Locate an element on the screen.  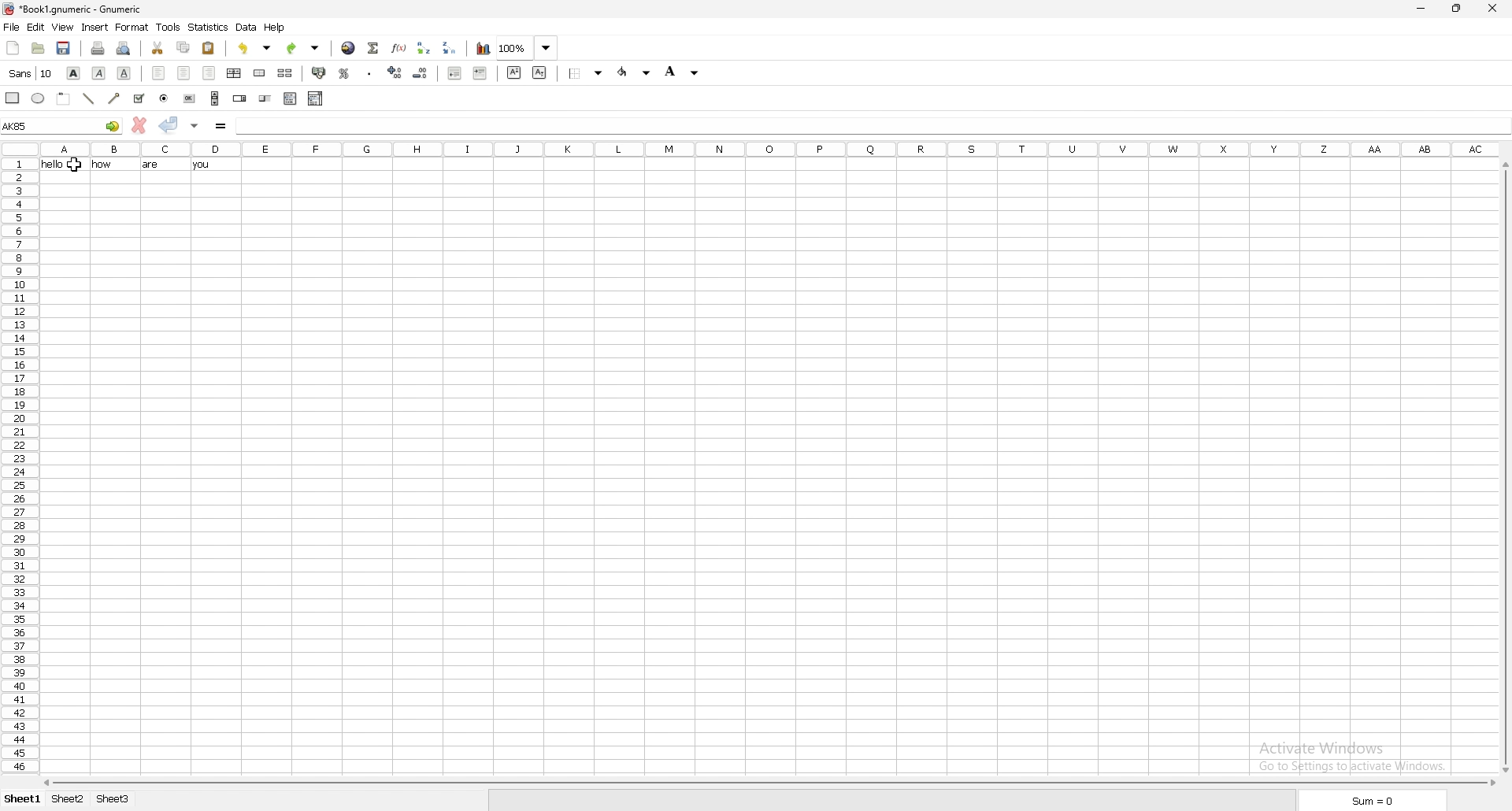
save is located at coordinates (65, 48).